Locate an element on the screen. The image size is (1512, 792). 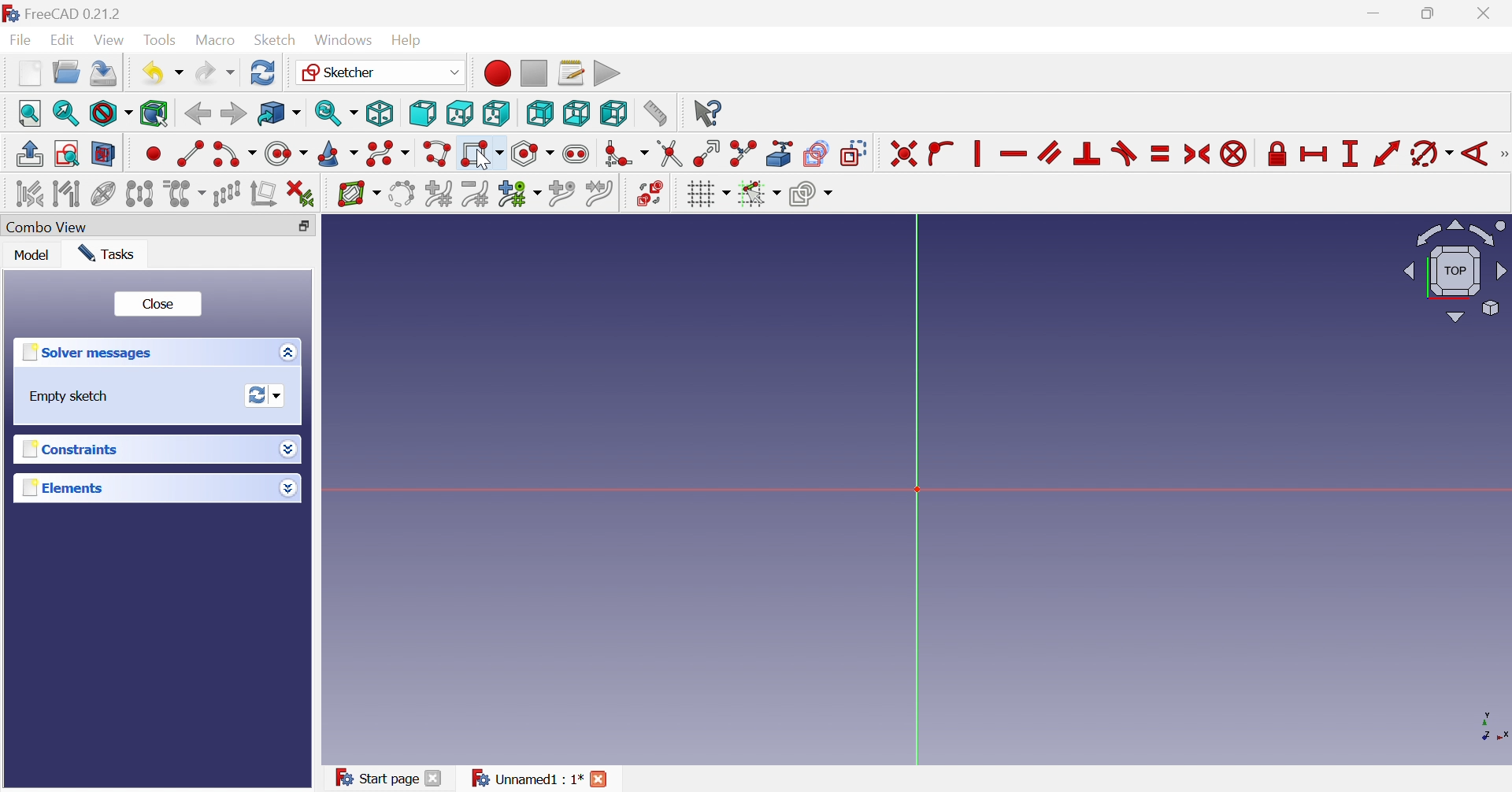
Create circle is located at coordinates (285, 154).